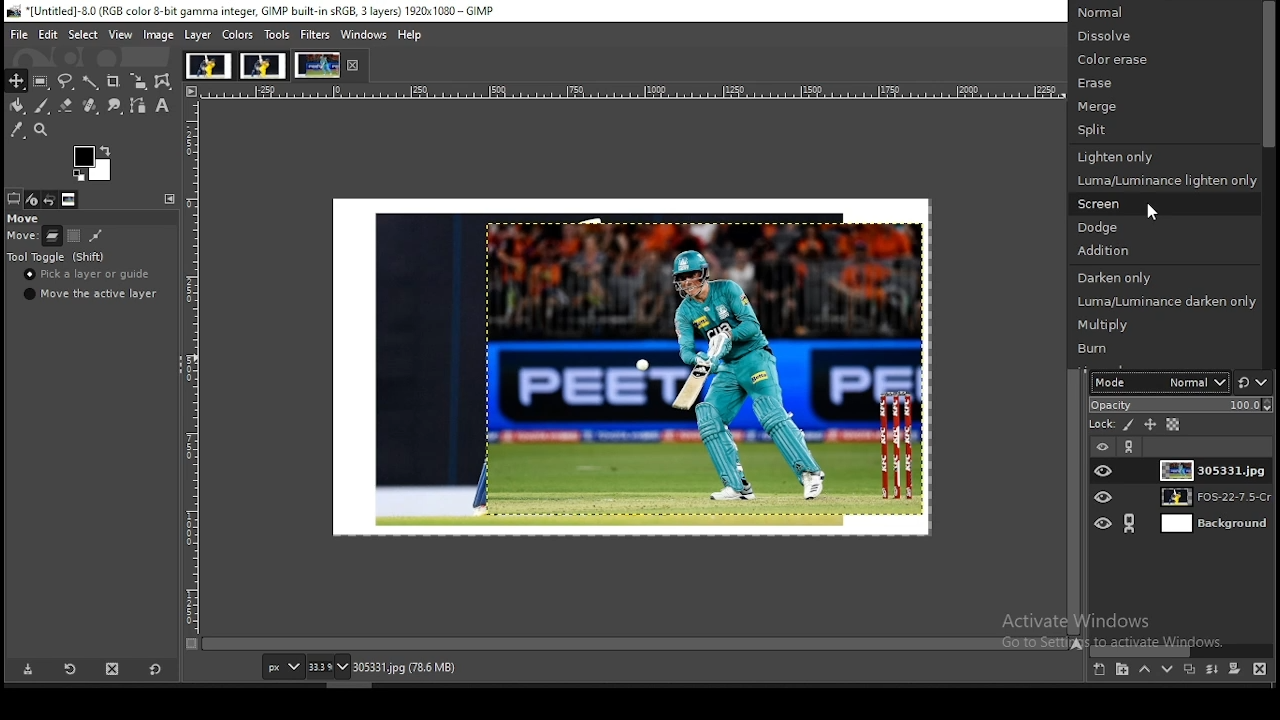  What do you see at coordinates (1208, 497) in the screenshot?
I see `layer` at bounding box center [1208, 497].